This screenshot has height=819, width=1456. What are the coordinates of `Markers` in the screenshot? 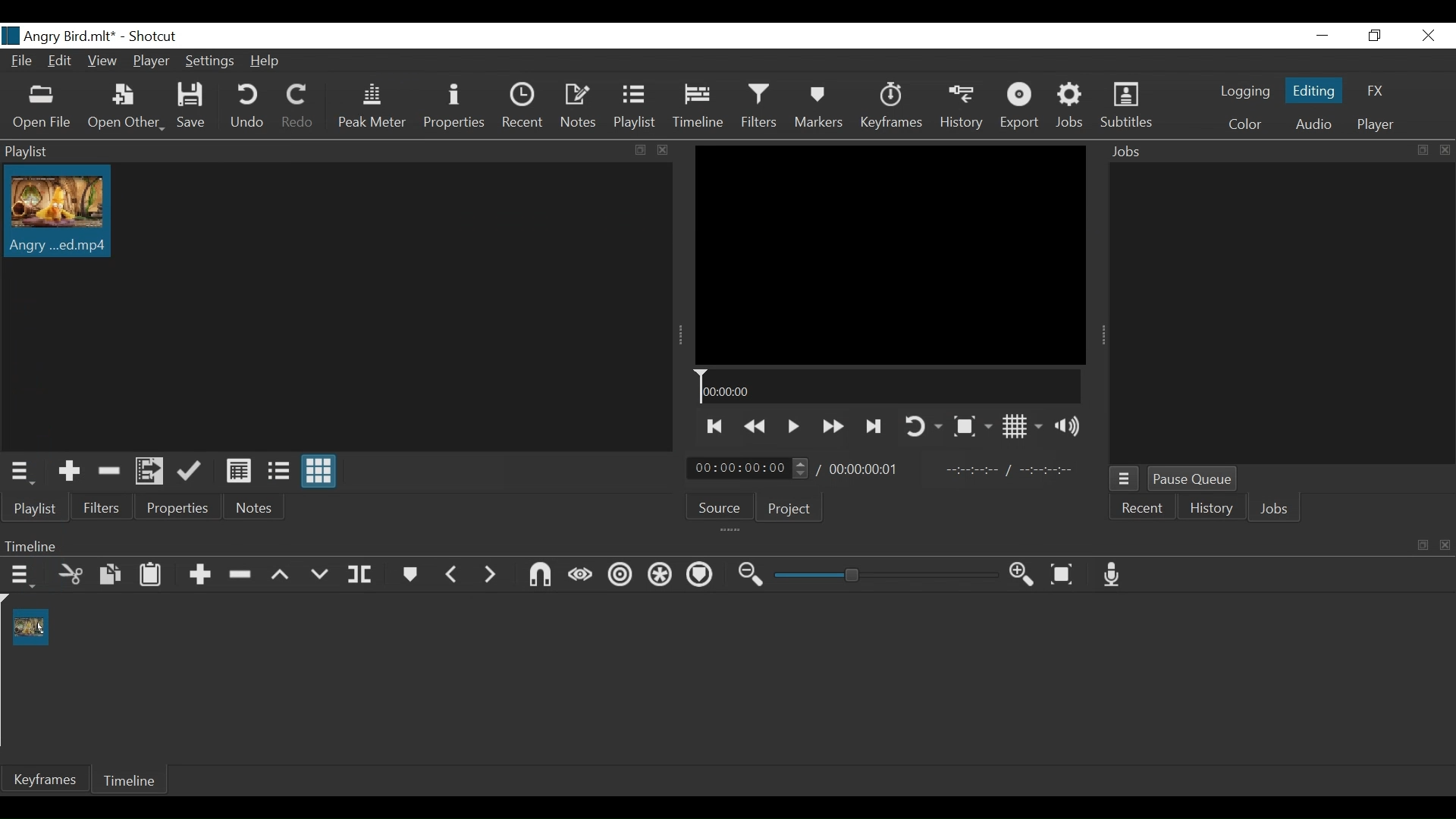 It's located at (818, 106).